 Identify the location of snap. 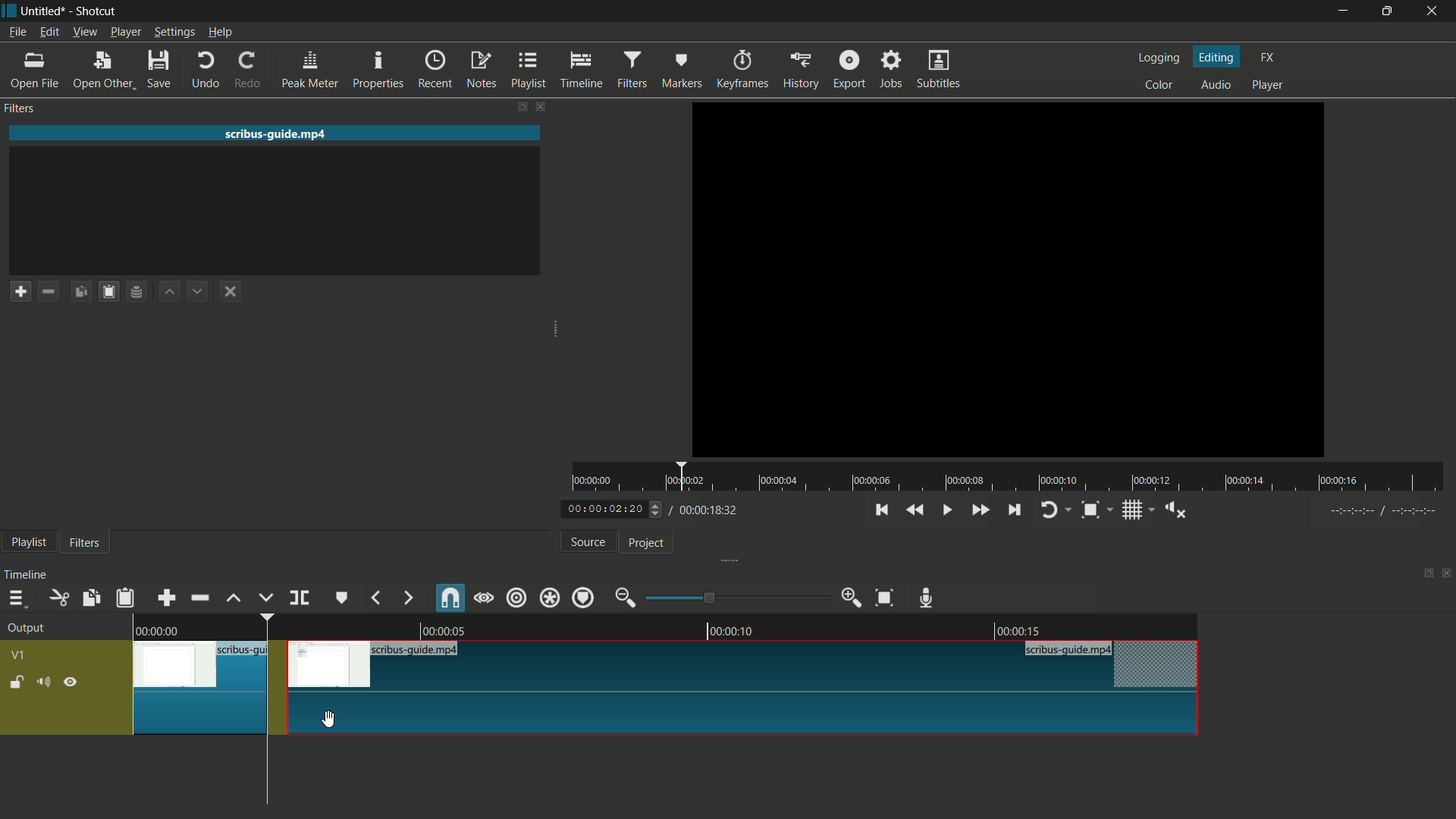
(450, 598).